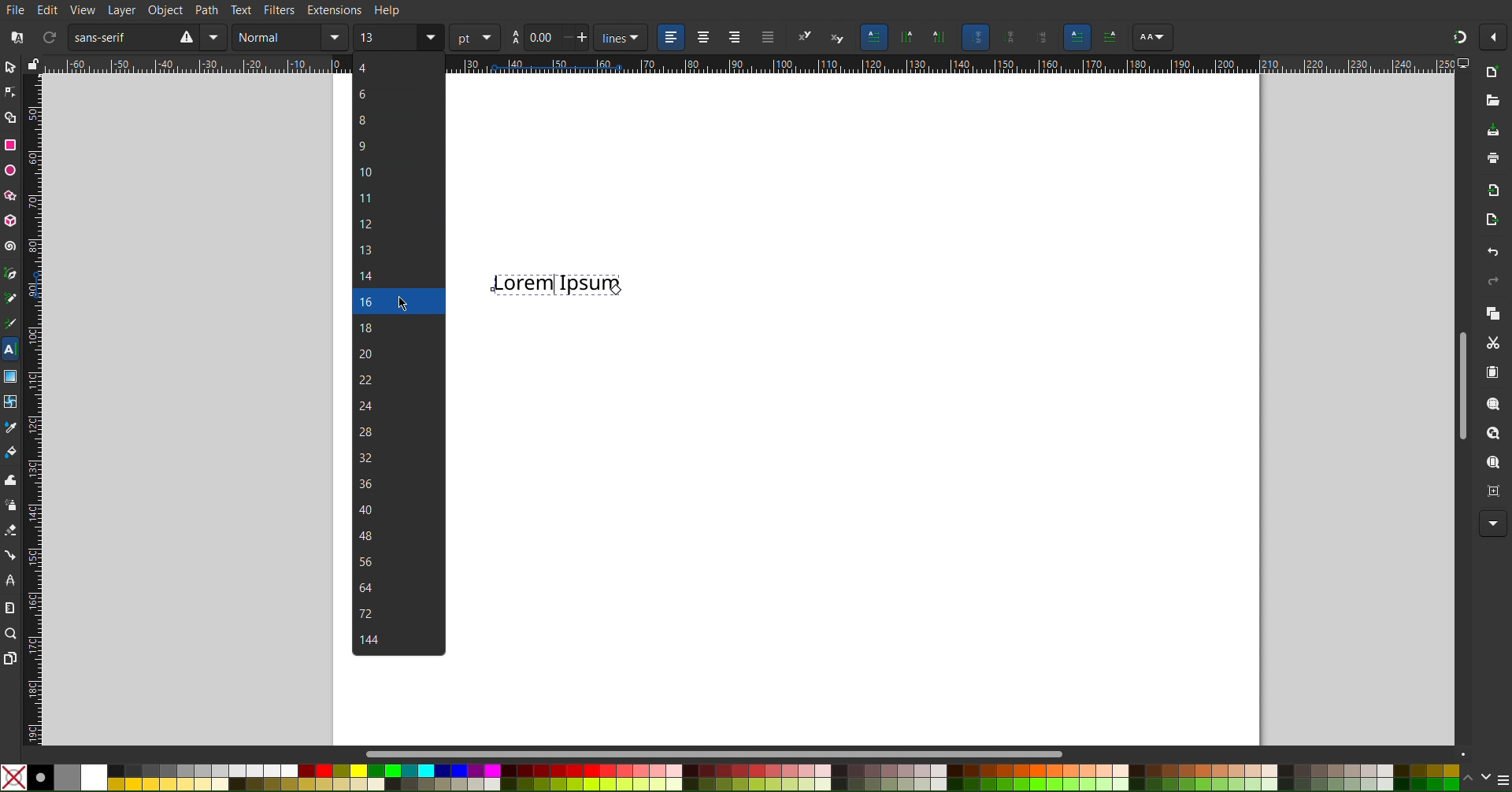  Describe the element at coordinates (10, 350) in the screenshot. I see `Text Tool` at that location.